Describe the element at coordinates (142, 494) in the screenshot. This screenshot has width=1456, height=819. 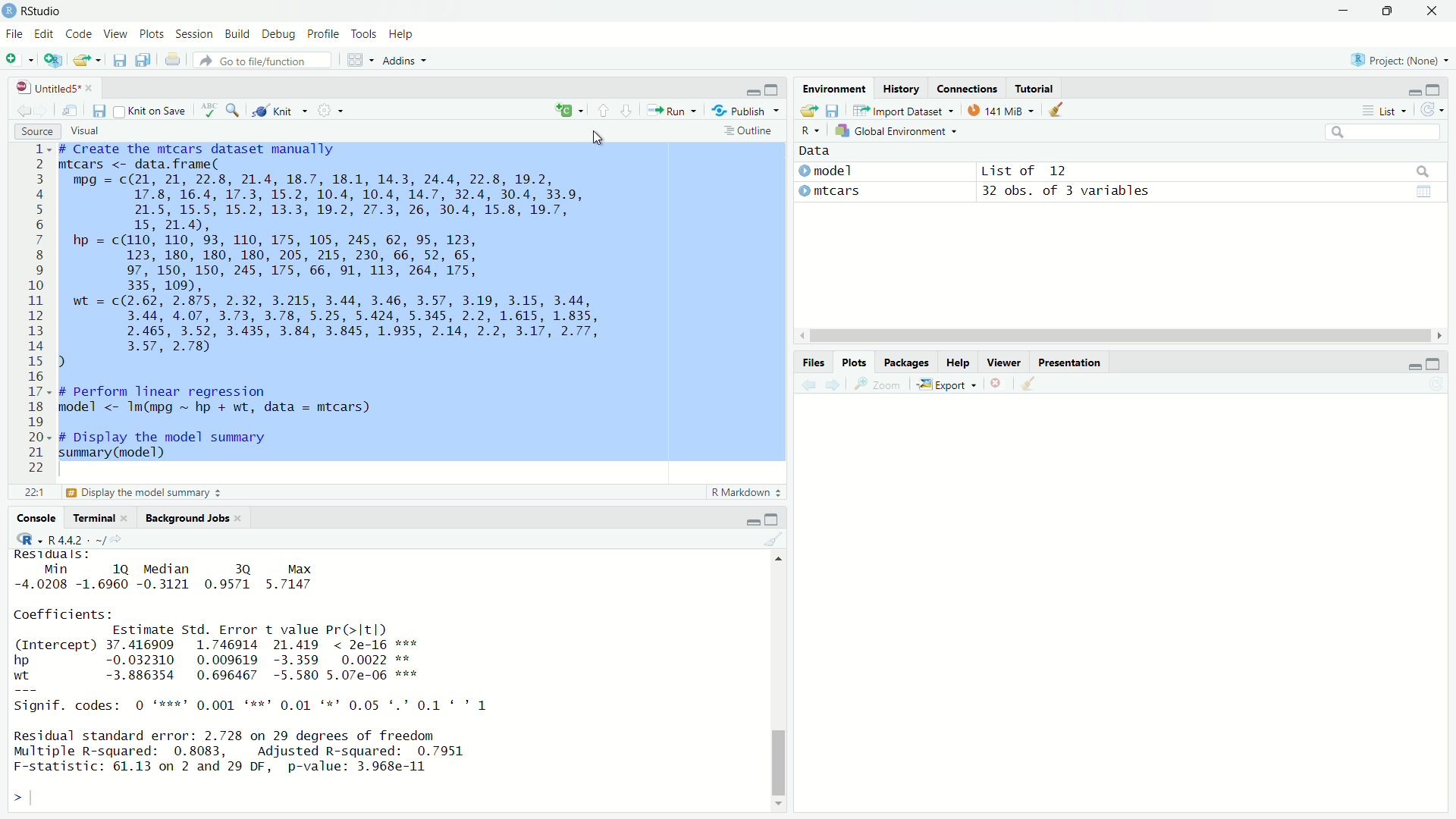
I see `£3 Display the model summary 3` at that location.